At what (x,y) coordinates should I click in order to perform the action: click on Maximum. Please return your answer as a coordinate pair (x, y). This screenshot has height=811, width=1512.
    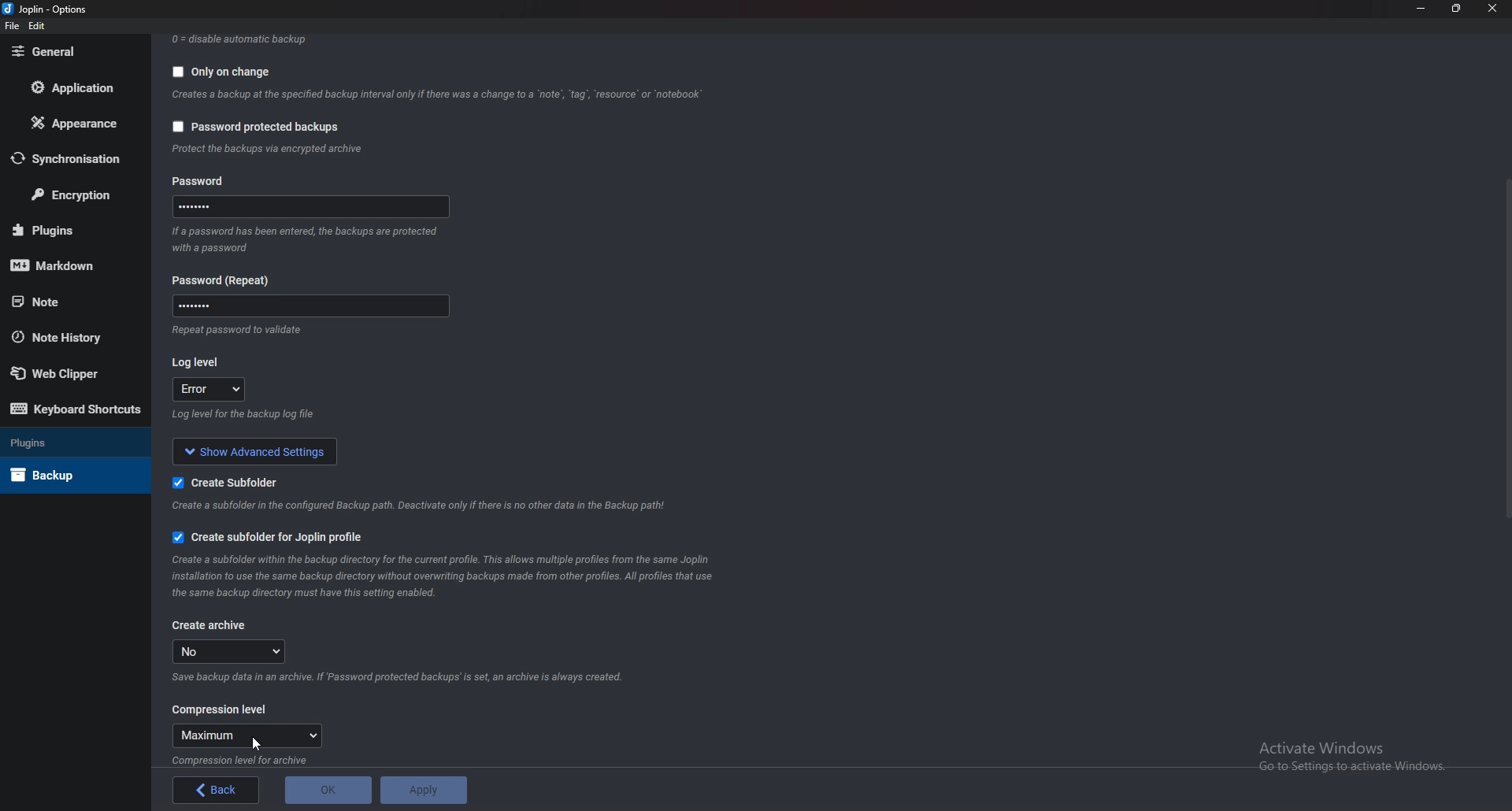
    Looking at the image, I should click on (250, 736).